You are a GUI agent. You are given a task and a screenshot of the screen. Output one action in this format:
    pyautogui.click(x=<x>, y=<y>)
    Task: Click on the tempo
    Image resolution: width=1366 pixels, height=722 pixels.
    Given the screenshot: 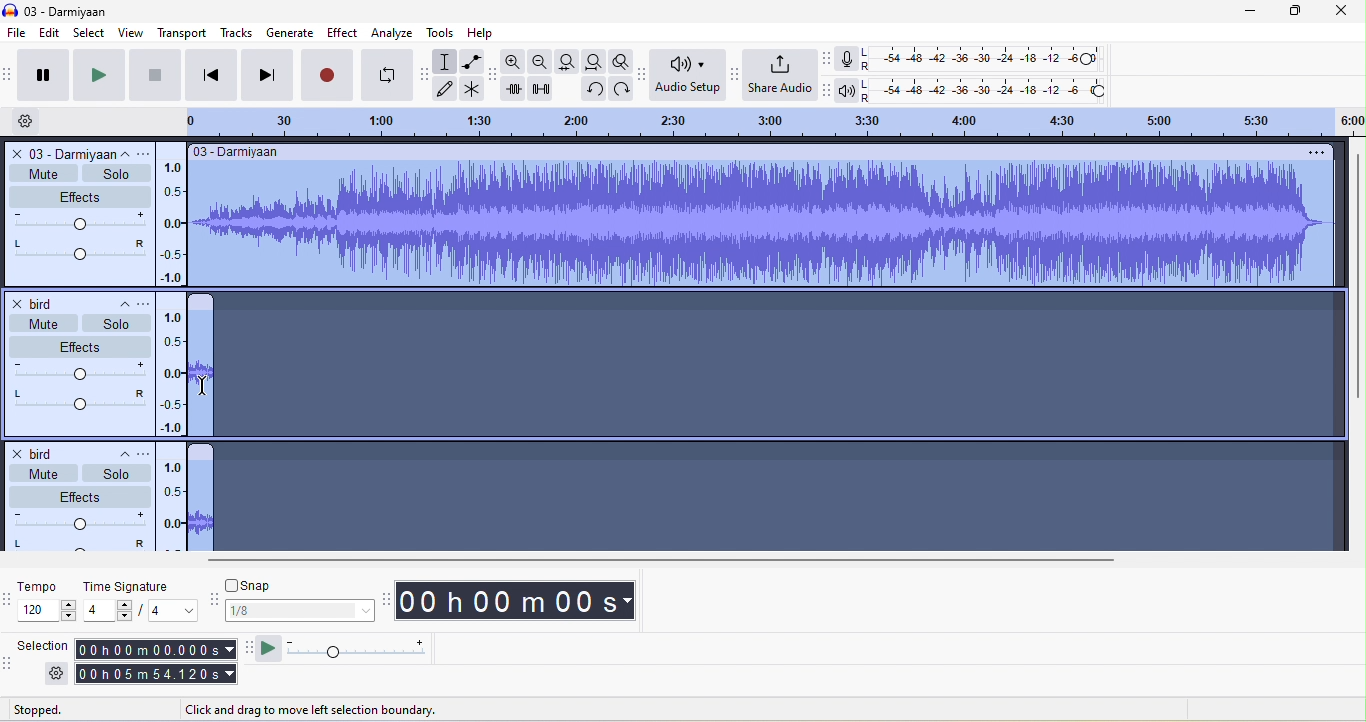 What is the action you would take?
    pyautogui.click(x=48, y=611)
    